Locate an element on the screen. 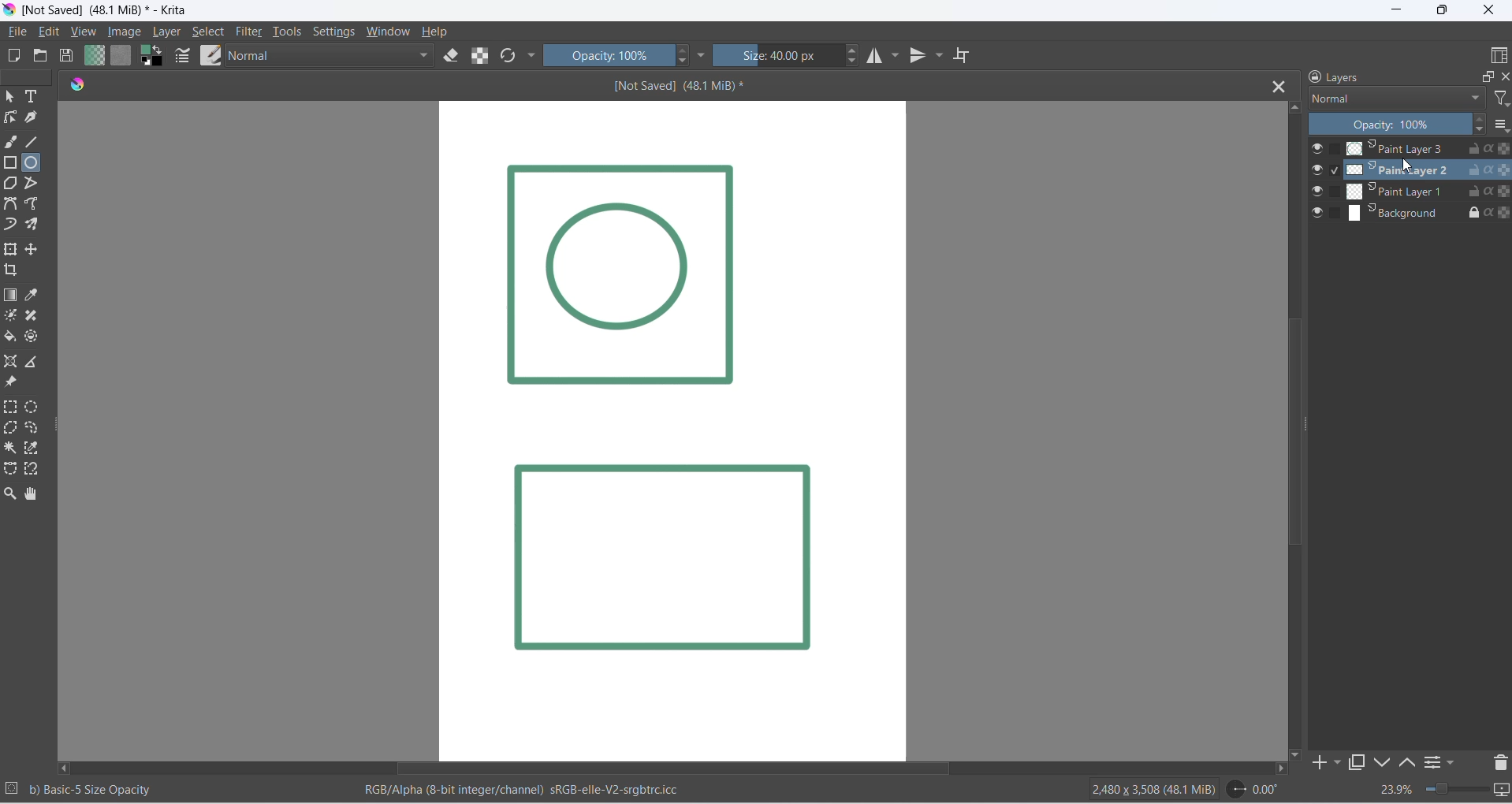 The image size is (1512, 804). layer is located at coordinates (173, 33).